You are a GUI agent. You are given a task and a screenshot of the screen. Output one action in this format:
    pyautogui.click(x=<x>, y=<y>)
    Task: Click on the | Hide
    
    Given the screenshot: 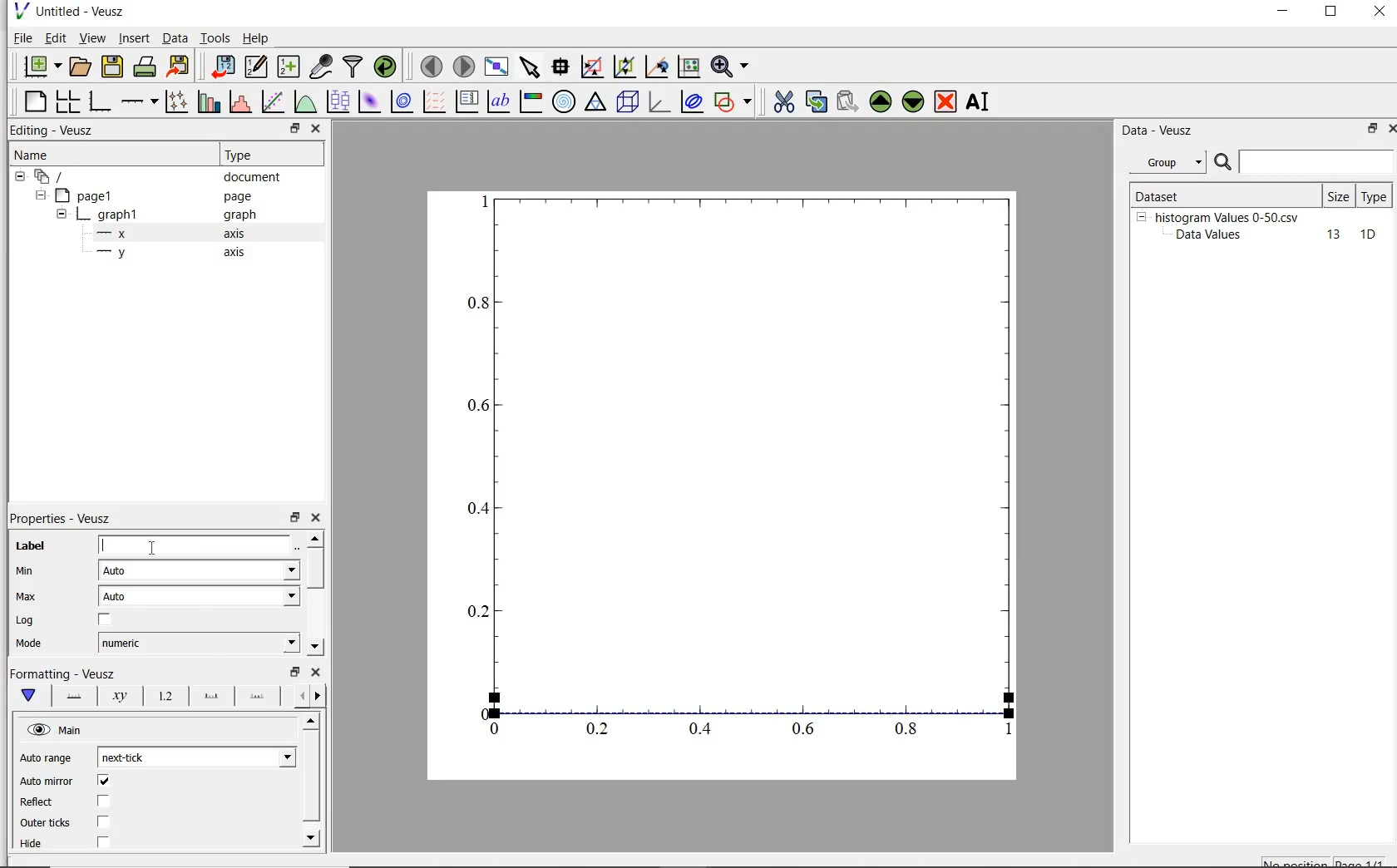 What is the action you would take?
    pyautogui.click(x=30, y=844)
    